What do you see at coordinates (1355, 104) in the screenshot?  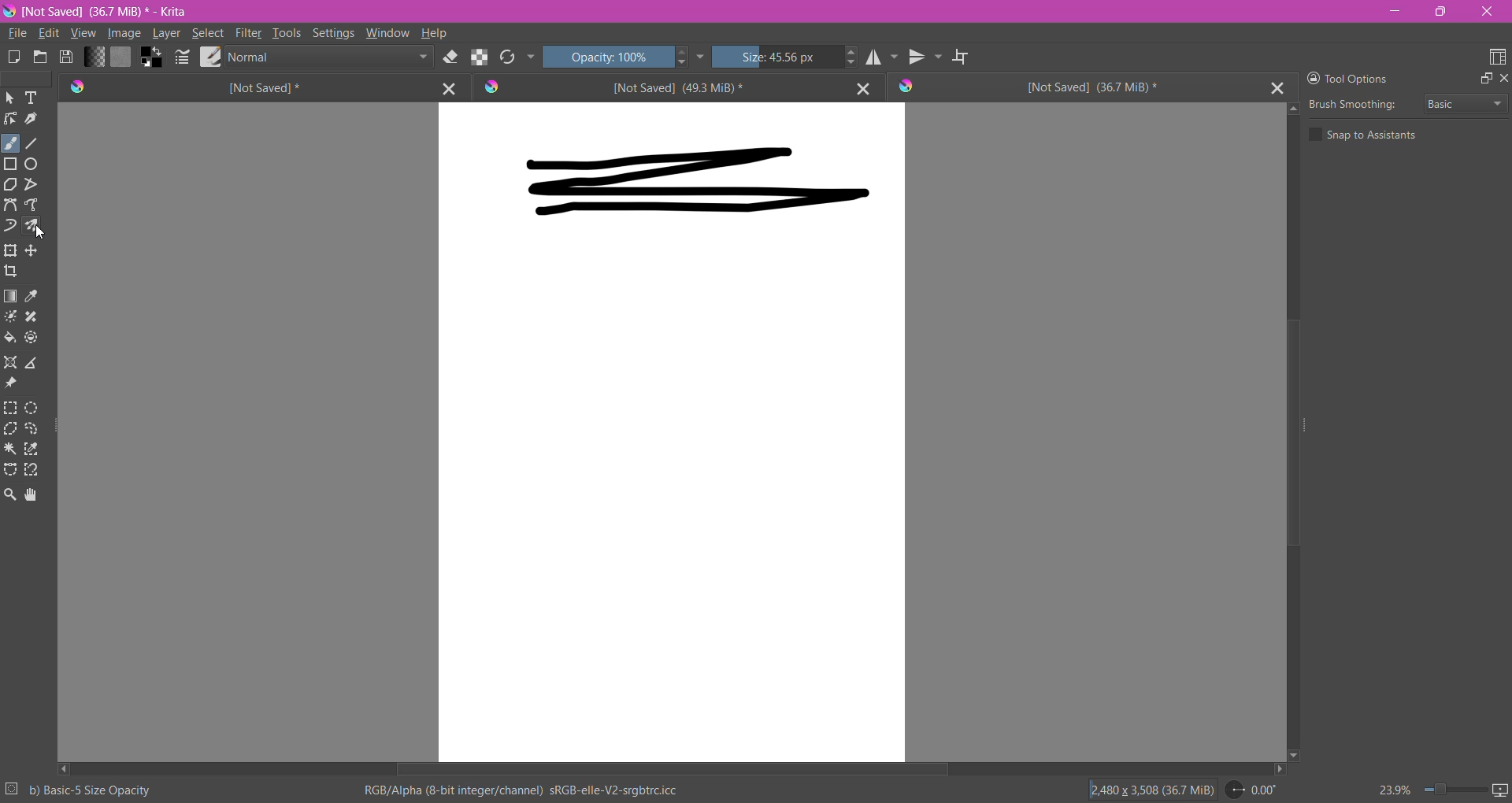 I see `Brush Smoothing` at bounding box center [1355, 104].